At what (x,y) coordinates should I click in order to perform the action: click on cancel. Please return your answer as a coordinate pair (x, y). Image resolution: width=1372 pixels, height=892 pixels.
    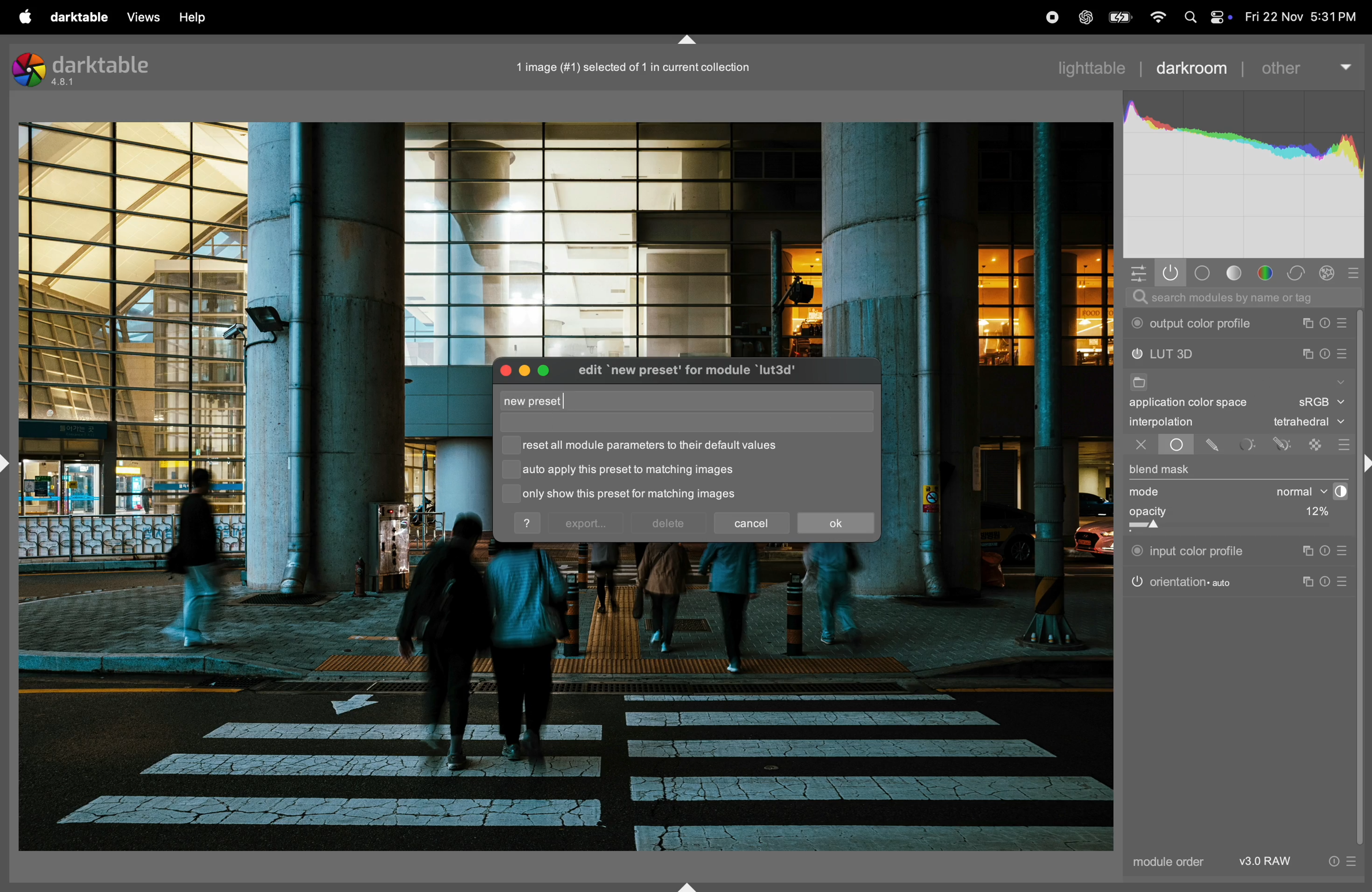
    Looking at the image, I should click on (753, 521).